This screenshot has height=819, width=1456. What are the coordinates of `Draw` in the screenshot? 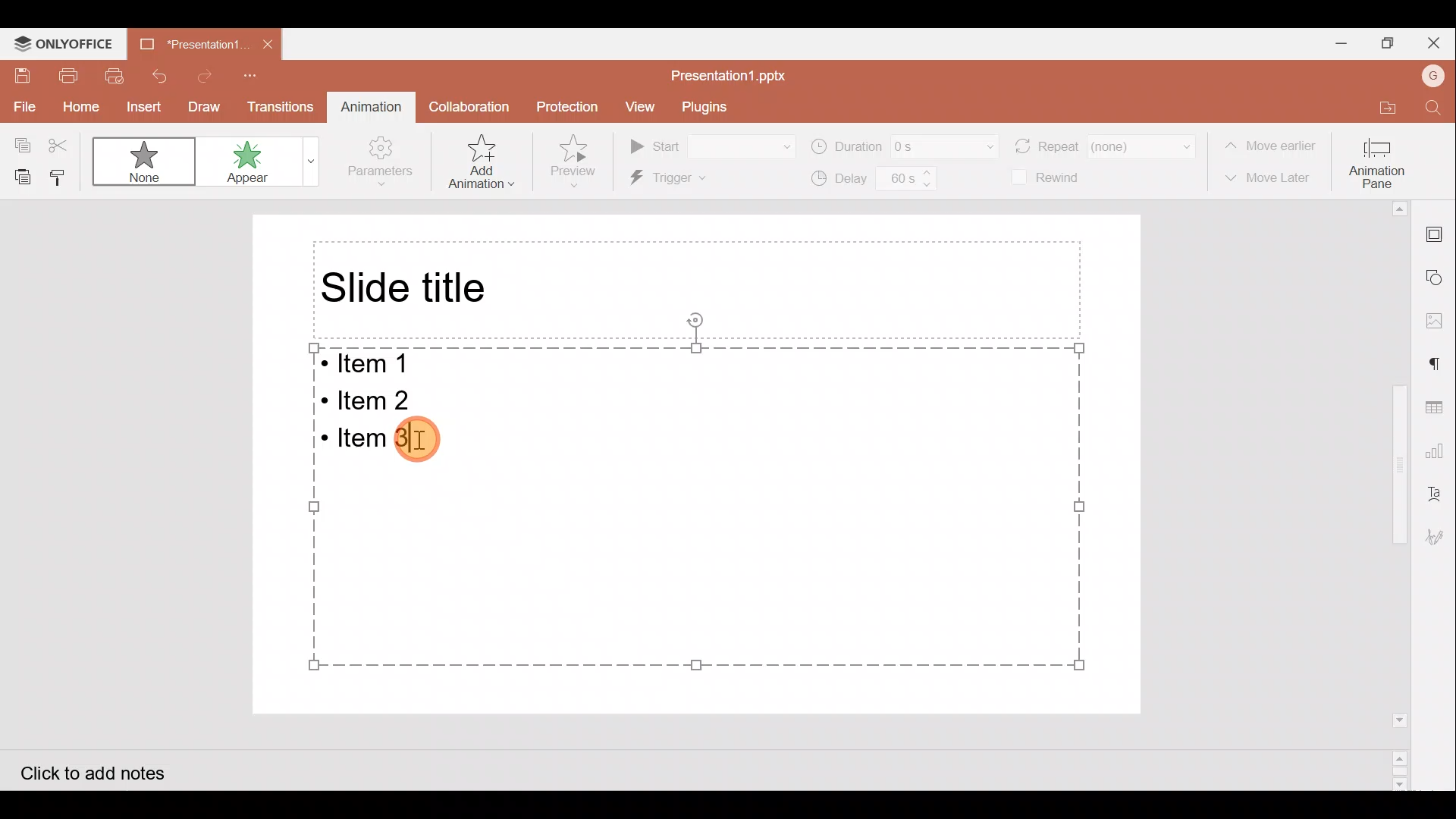 It's located at (201, 107).